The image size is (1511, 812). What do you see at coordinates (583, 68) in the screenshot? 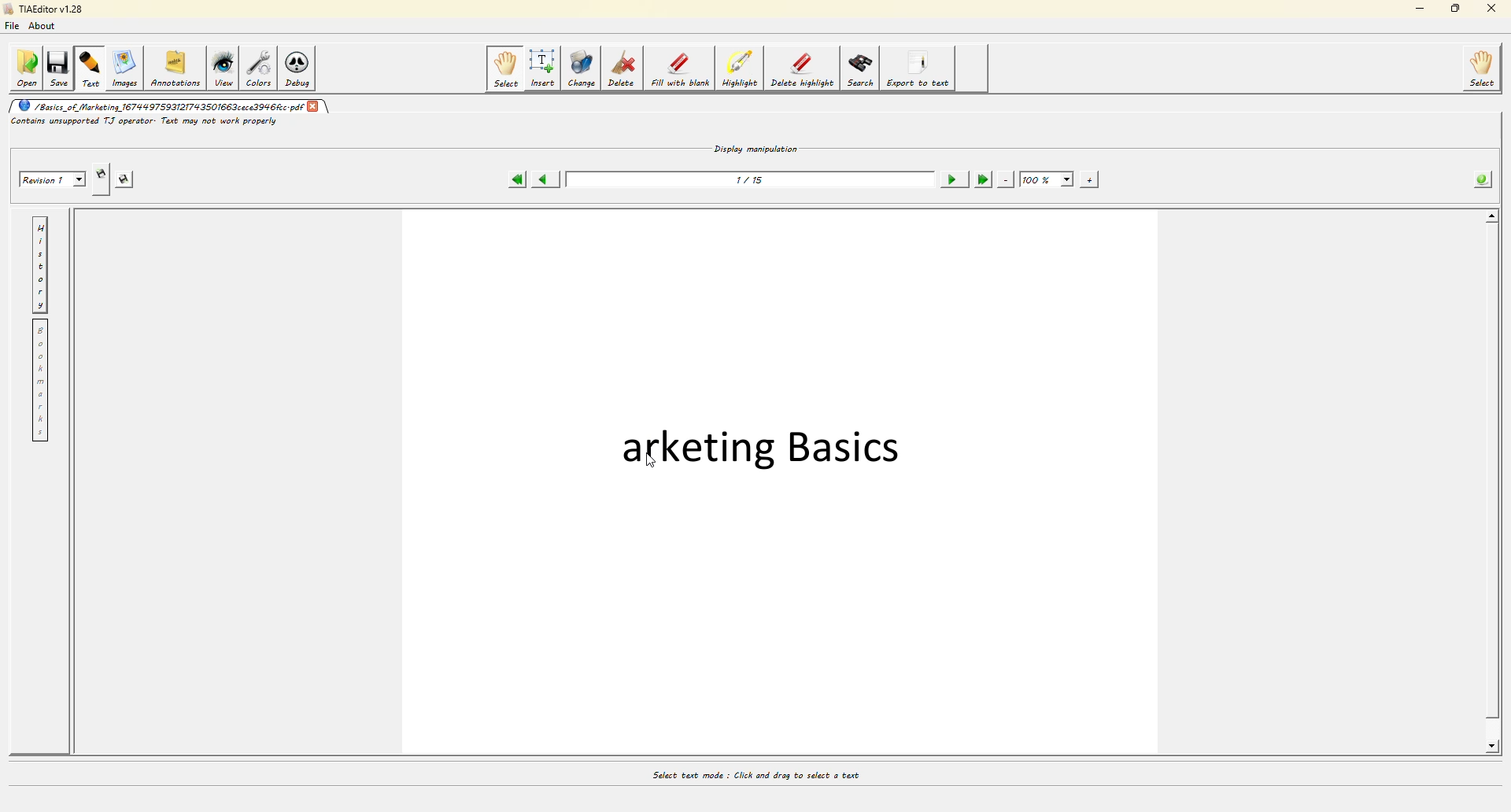
I see `change` at bounding box center [583, 68].